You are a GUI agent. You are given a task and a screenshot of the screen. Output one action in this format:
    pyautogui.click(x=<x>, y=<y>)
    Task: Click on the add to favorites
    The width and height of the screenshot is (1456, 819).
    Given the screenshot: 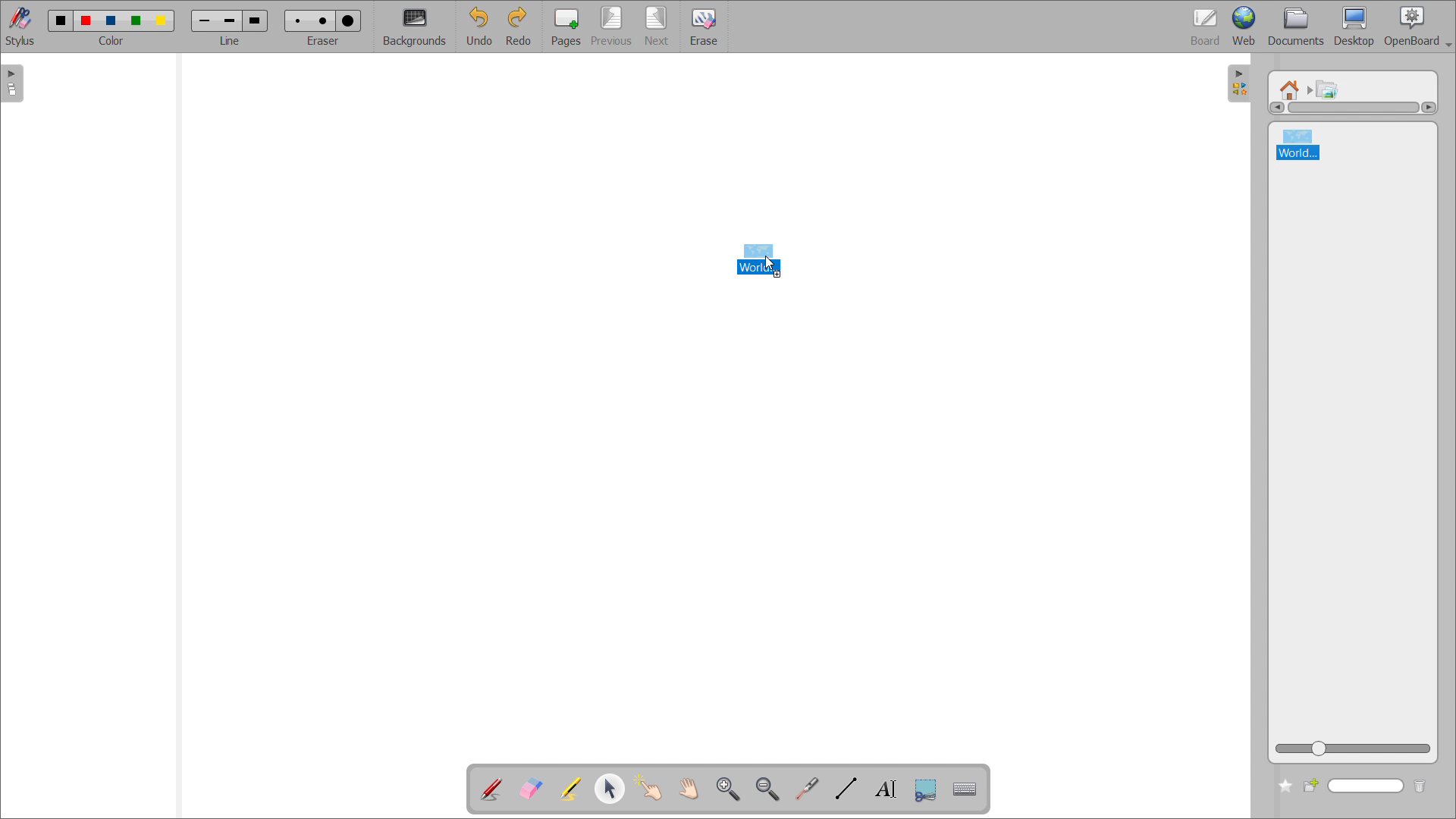 What is the action you would take?
    pyautogui.click(x=1285, y=786)
    